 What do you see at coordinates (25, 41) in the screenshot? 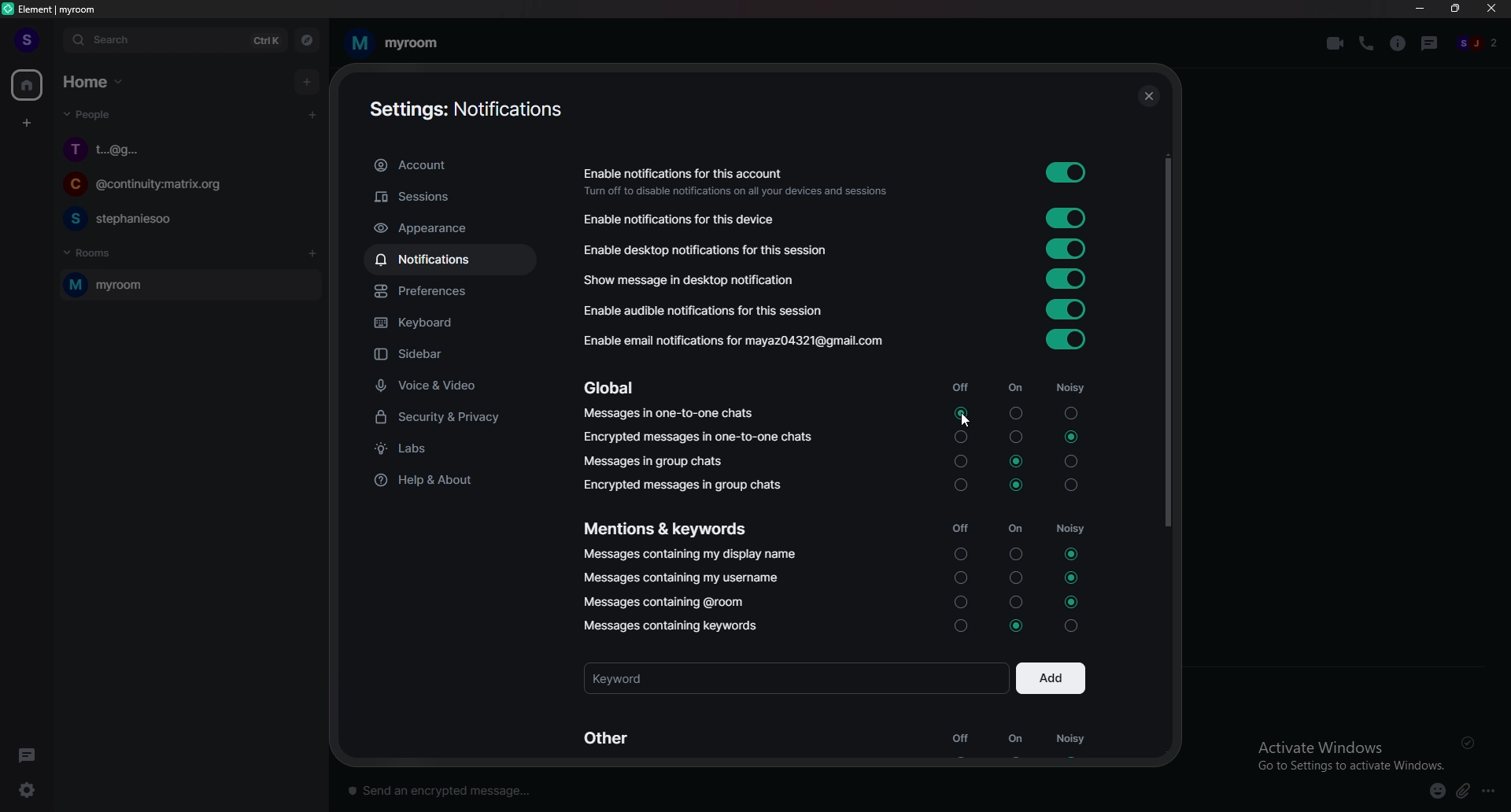
I see `profile` at bounding box center [25, 41].